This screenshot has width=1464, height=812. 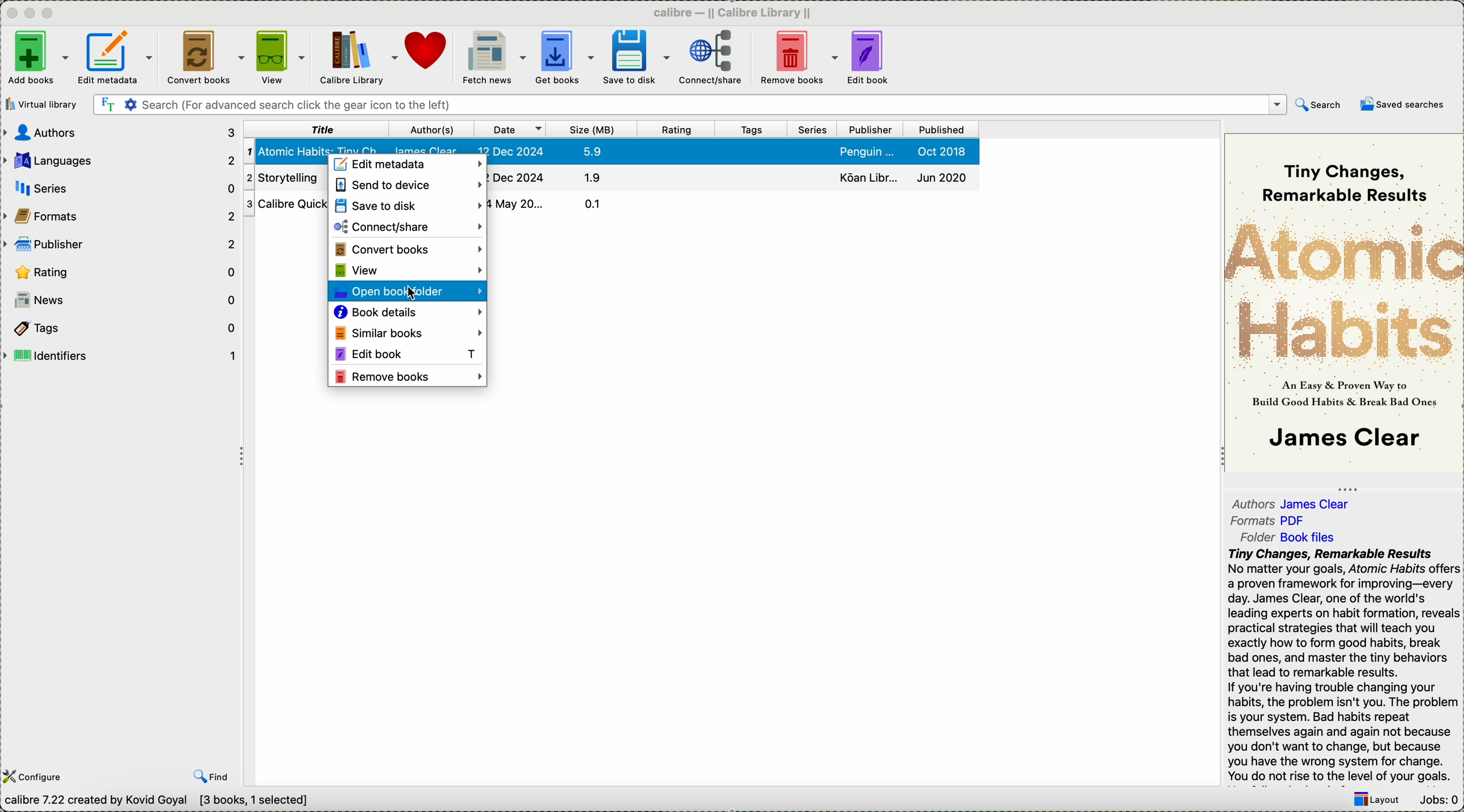 What do you see at coordinates (287, 204) in the screenshot?
I see `third book` at bounding box center [287, 204].